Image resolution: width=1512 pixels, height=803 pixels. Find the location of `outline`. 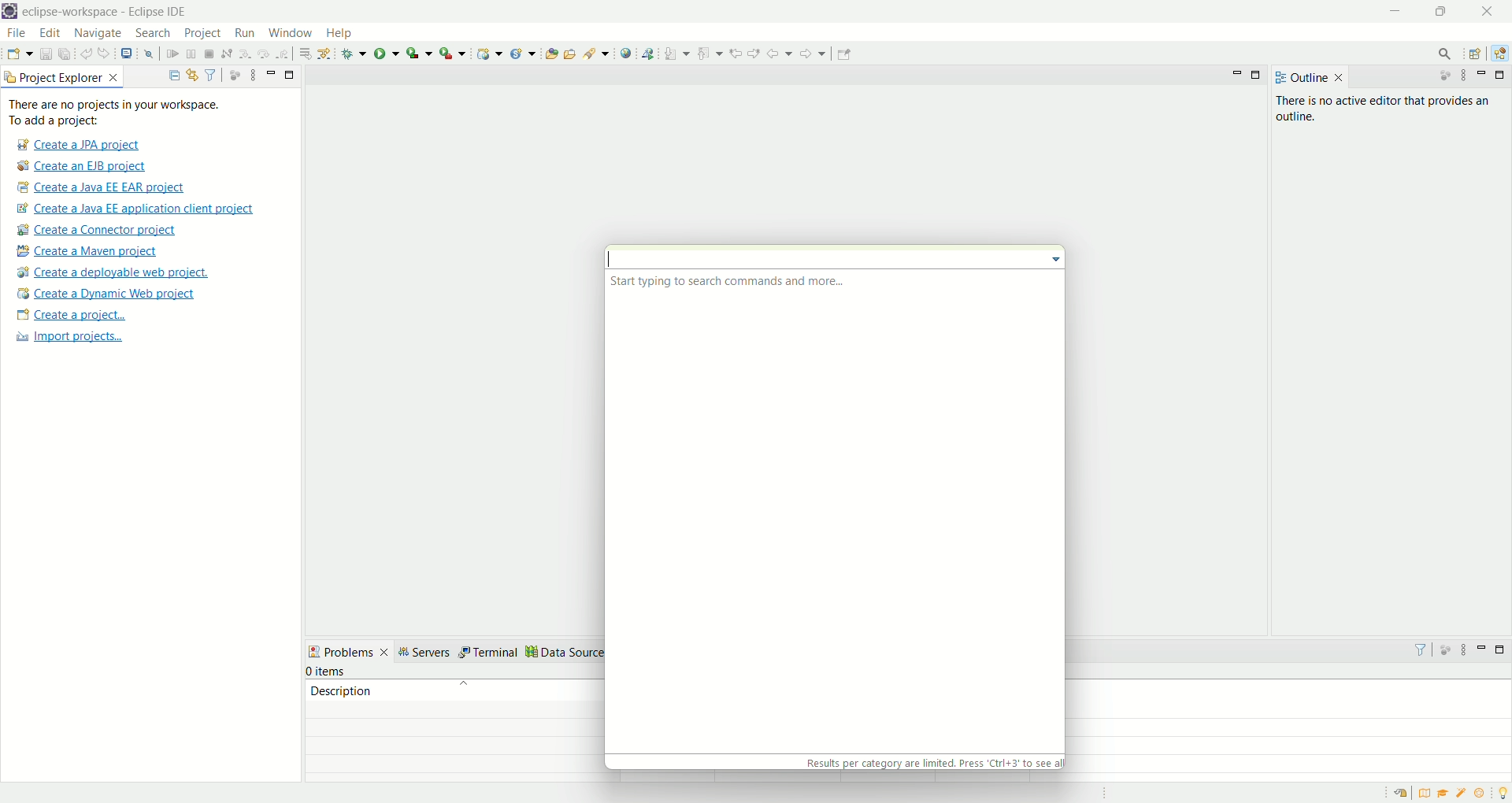

outline is located at coordinates (1309, 77).